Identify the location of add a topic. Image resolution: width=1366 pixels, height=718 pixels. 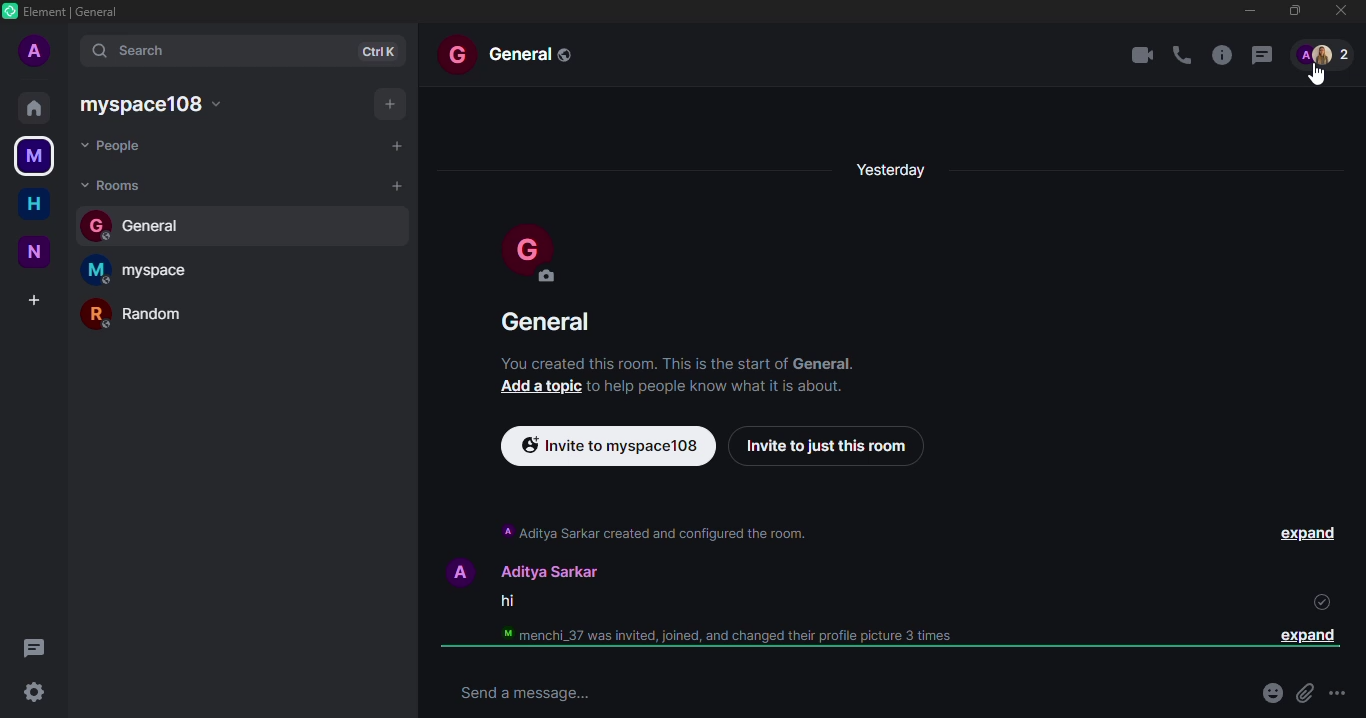
(540, 386).